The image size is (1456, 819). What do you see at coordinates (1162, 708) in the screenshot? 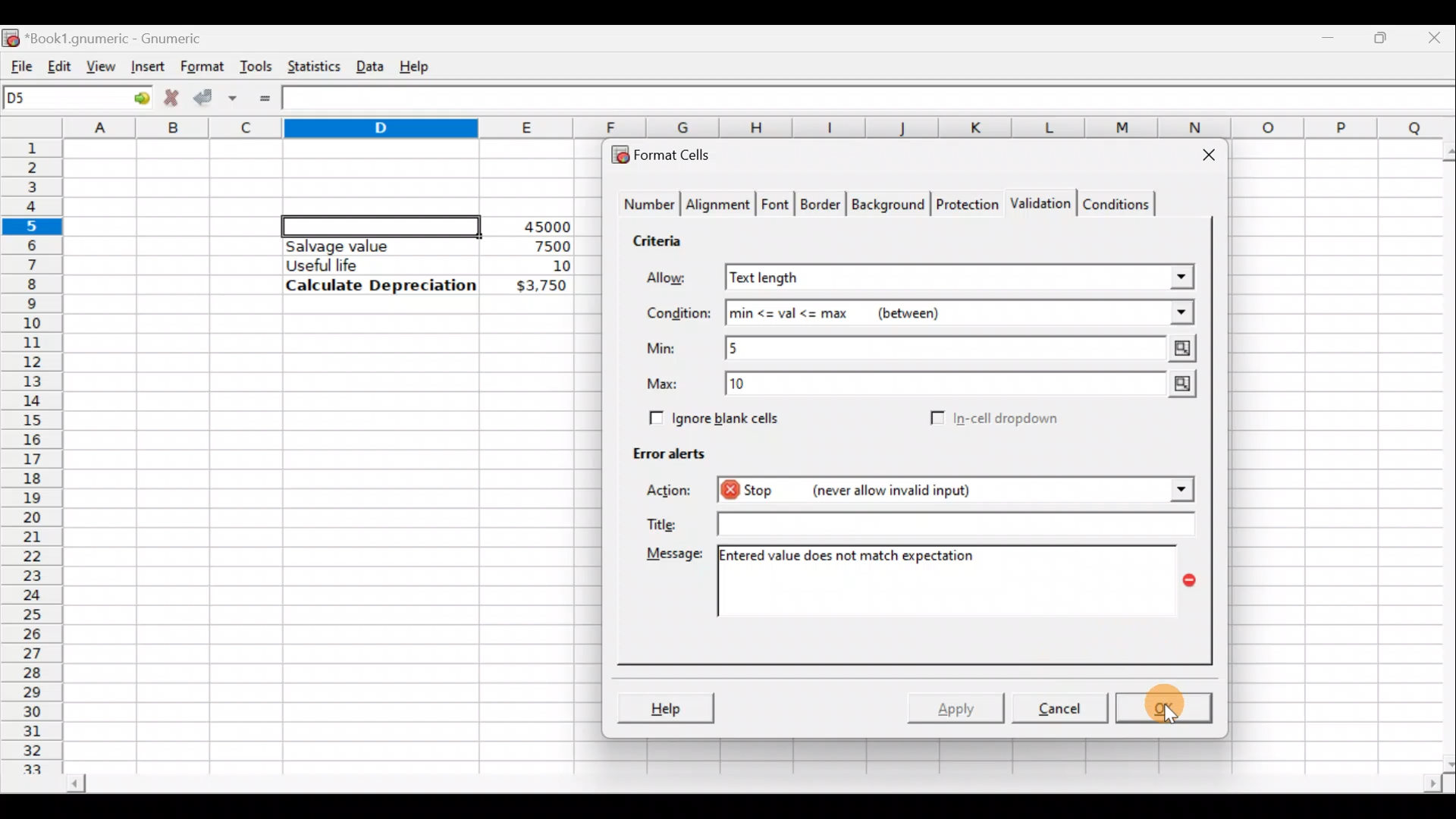
I see `OK` at bounding box center [1162, 708].